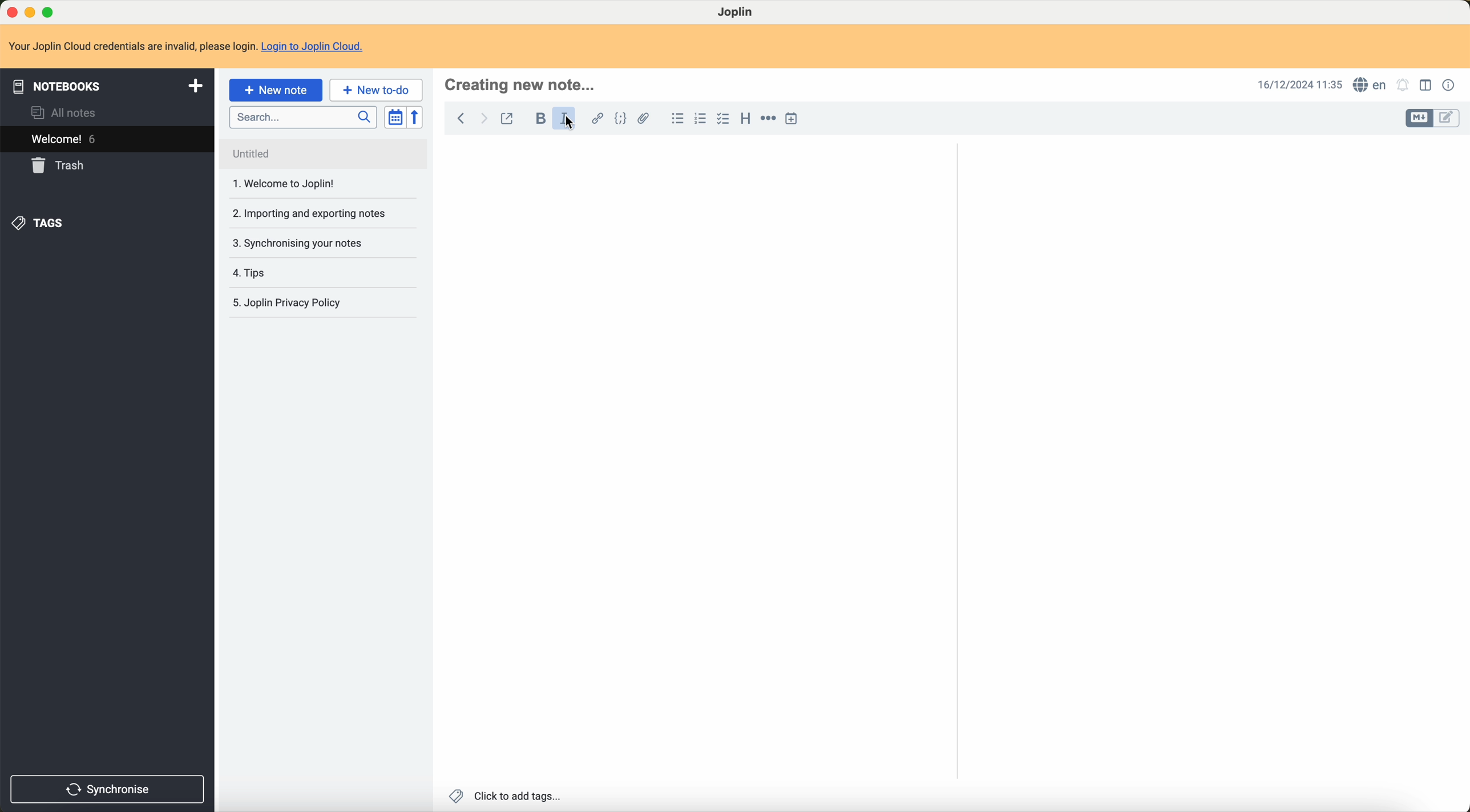  What do you see at coordinates (66, 140) in the screenshot?
I see `welcome` at bounding box center [66, 140].